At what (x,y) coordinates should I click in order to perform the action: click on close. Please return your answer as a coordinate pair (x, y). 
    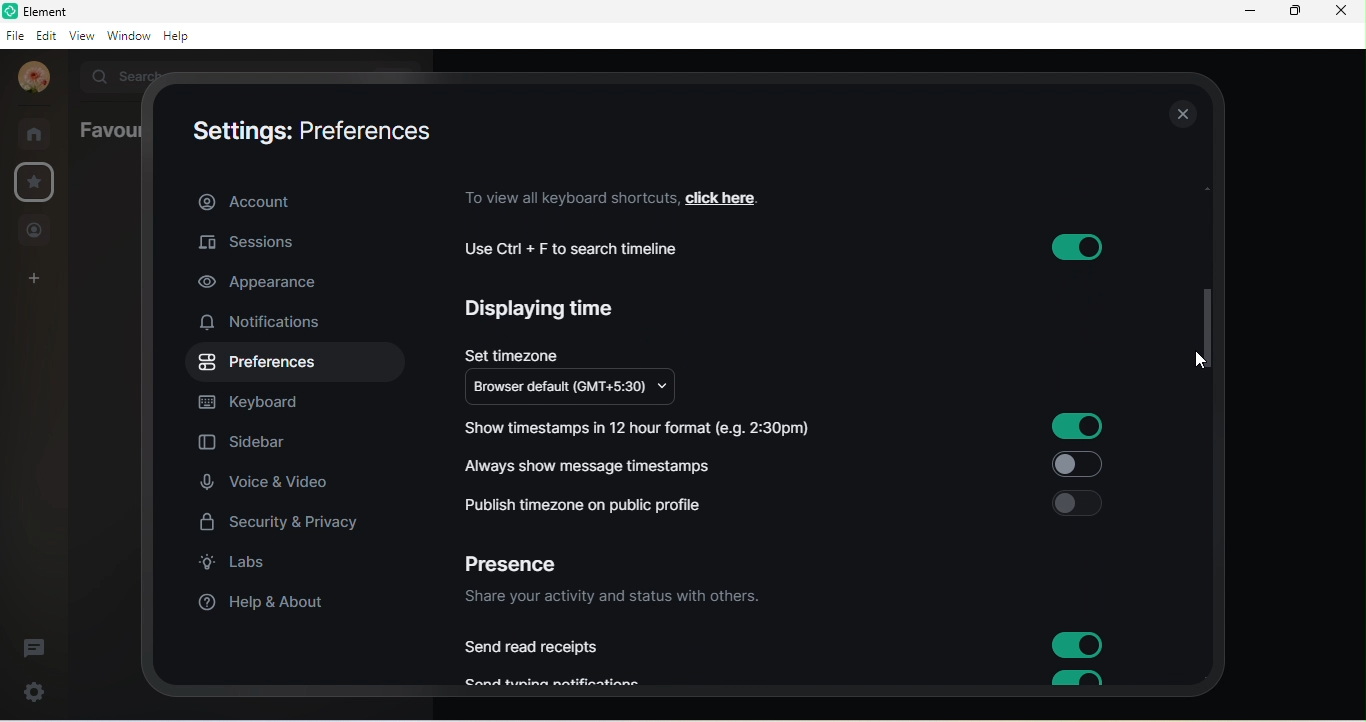
    Looking at the image, I should click on (1180, 116).